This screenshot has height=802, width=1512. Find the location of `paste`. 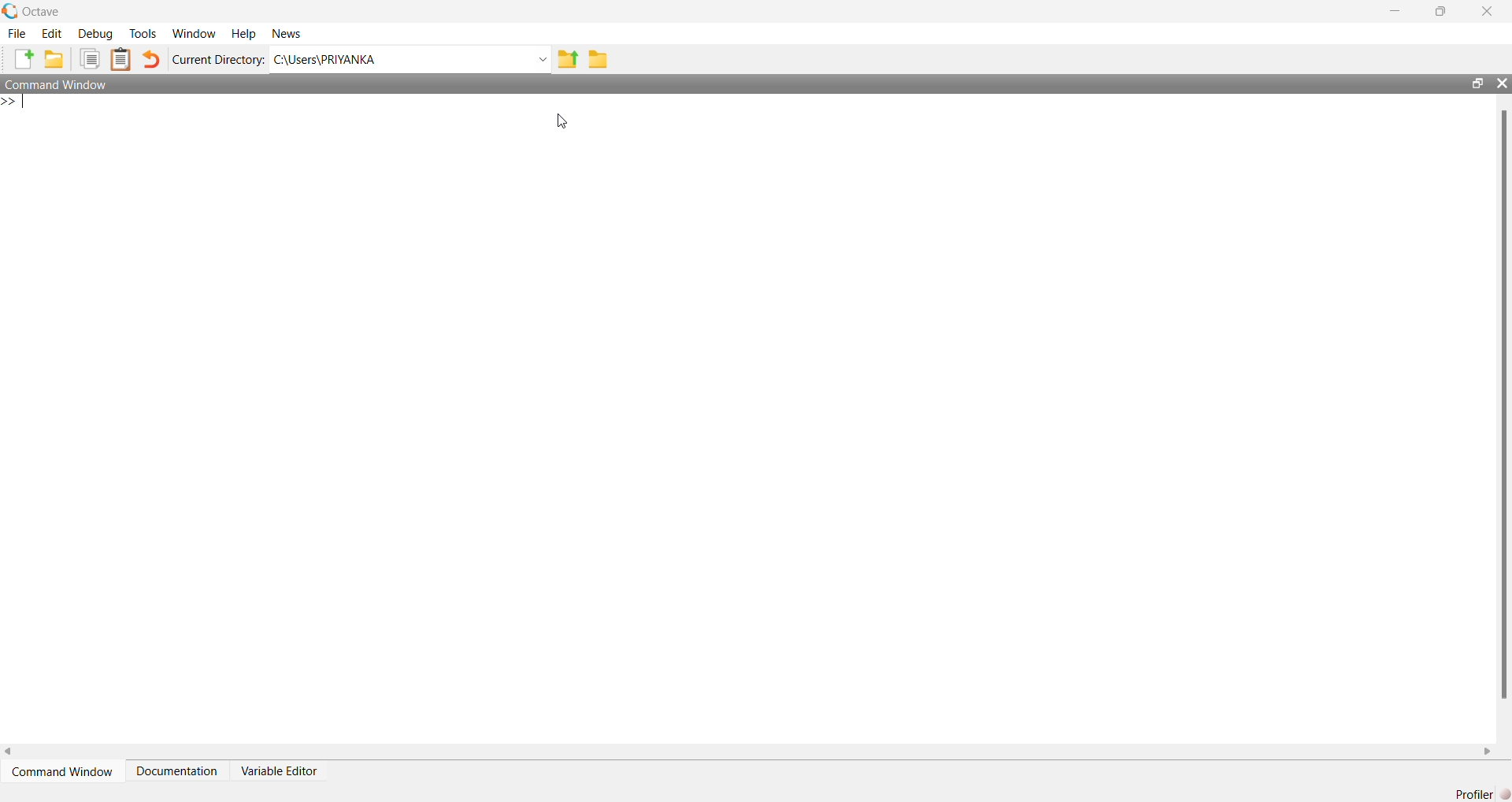

paste is located at coordinates (121, 60).